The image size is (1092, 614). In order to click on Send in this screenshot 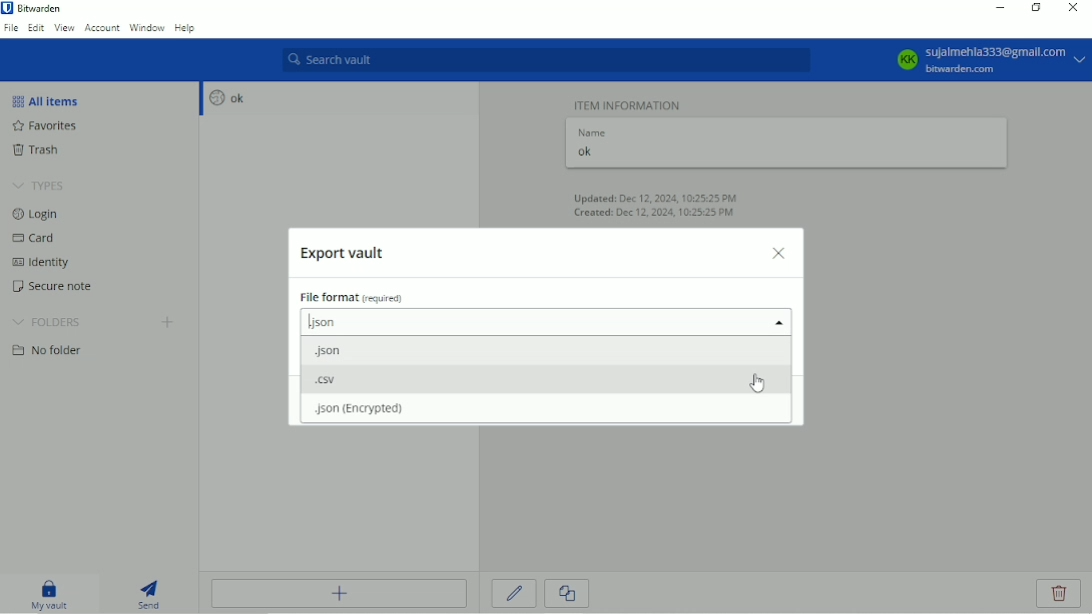, I will do `click(150, 592)`.